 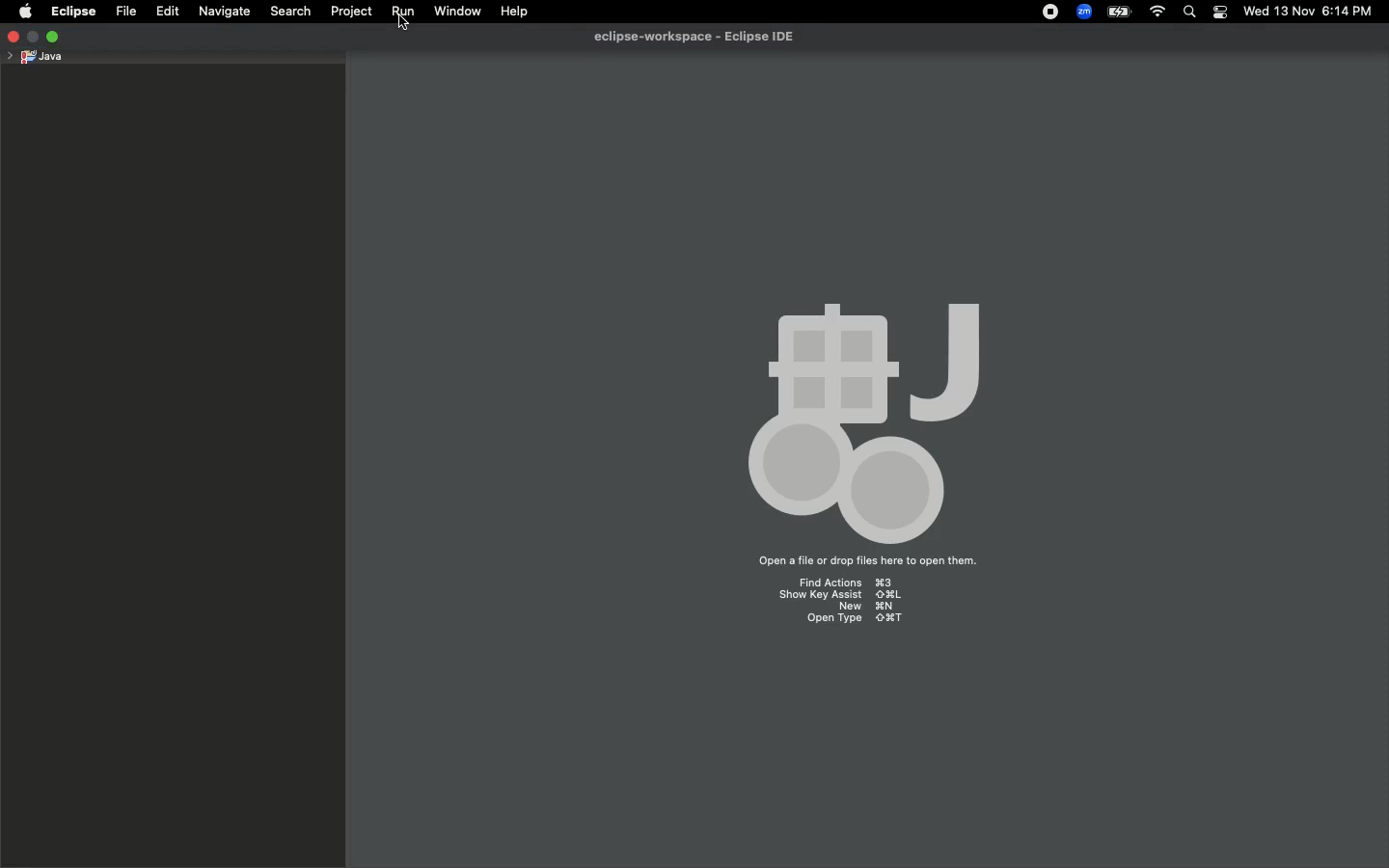 I want to click on eclipse-workspace-eclipse IDE, so click(x=694, y=37).